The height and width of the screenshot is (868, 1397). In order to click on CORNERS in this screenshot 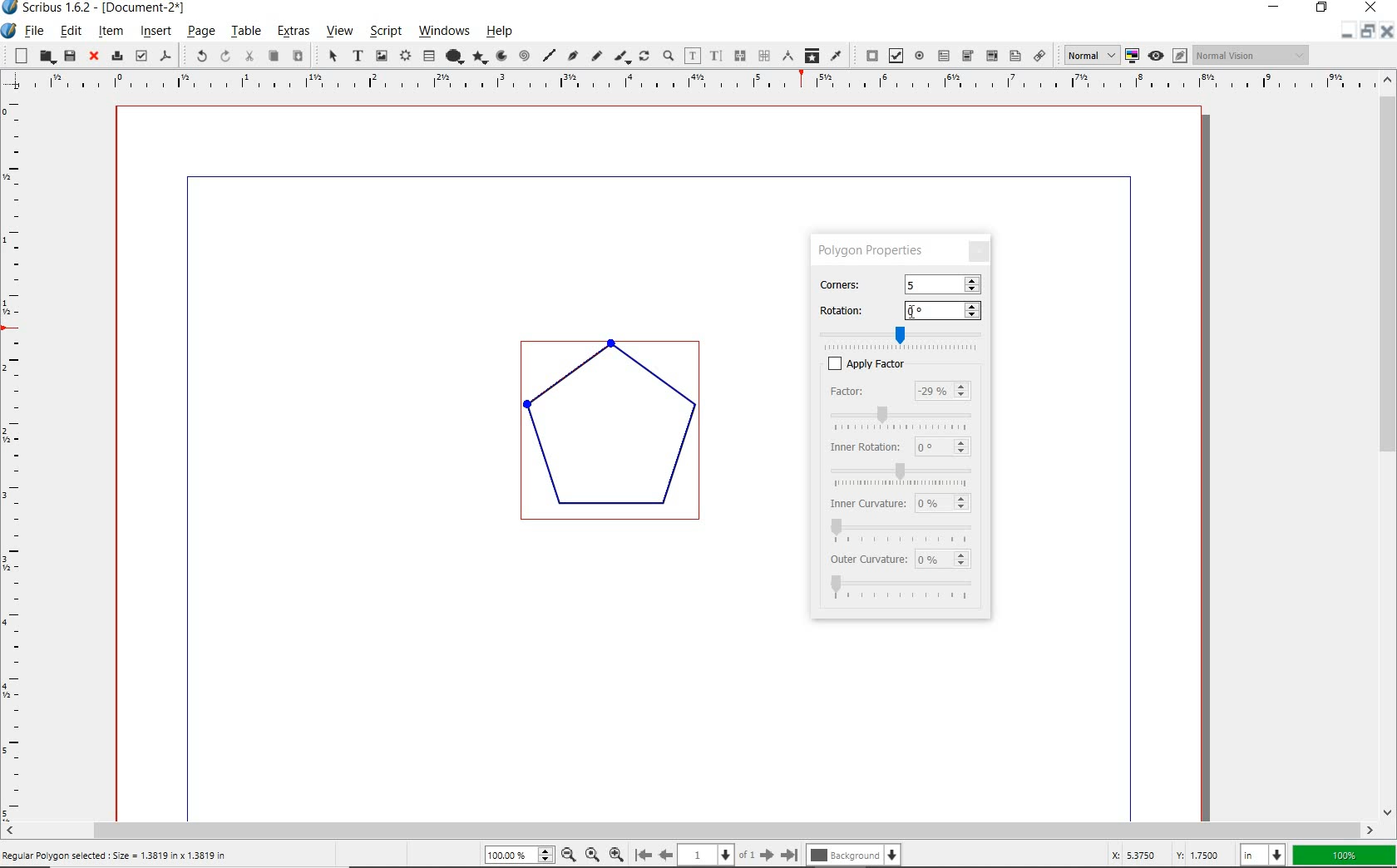, I will do `click(852, 282)`.